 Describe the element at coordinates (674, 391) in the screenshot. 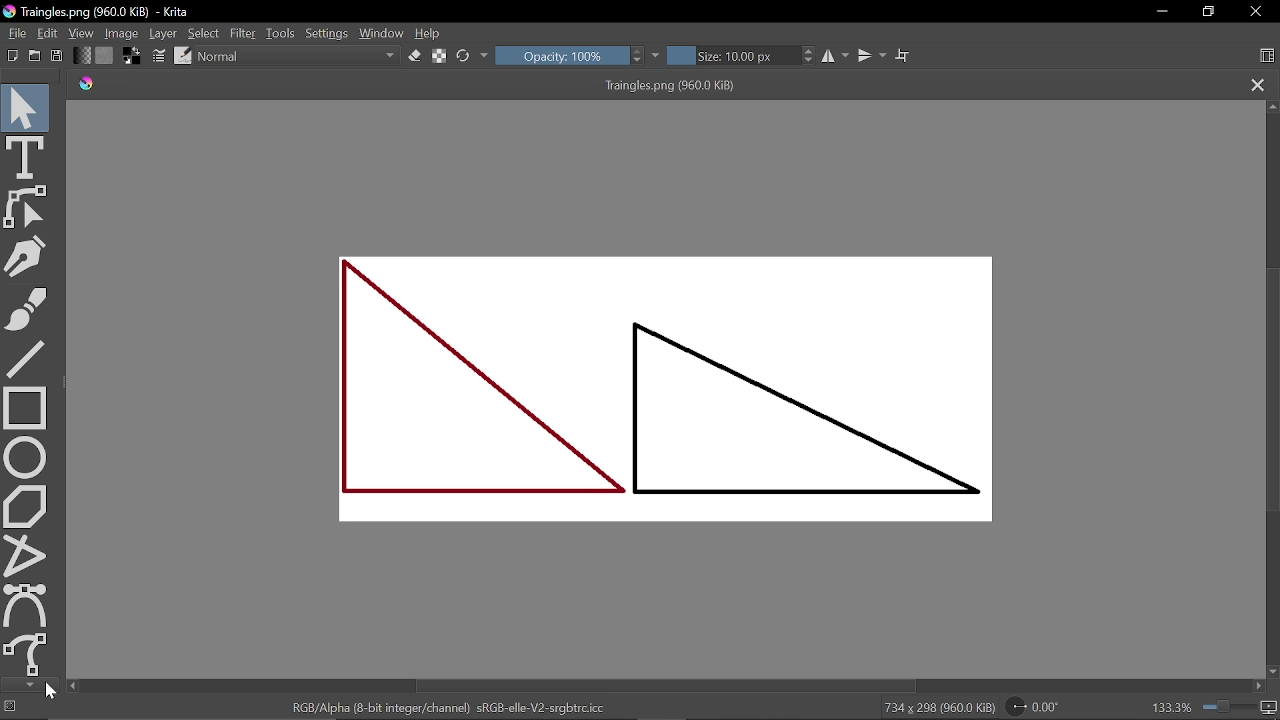

I see `Current diagram` at that location.